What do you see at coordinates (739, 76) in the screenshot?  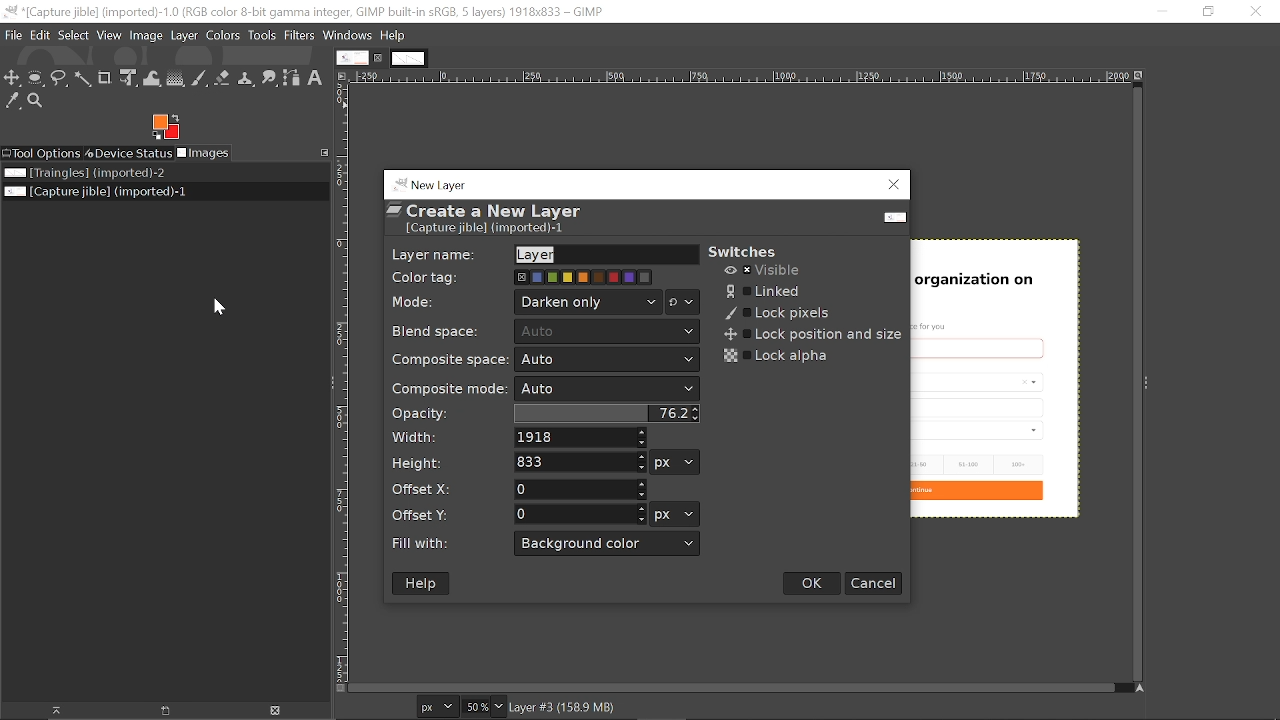 I see `Horizontal labe` at bounding box center [739, 76].